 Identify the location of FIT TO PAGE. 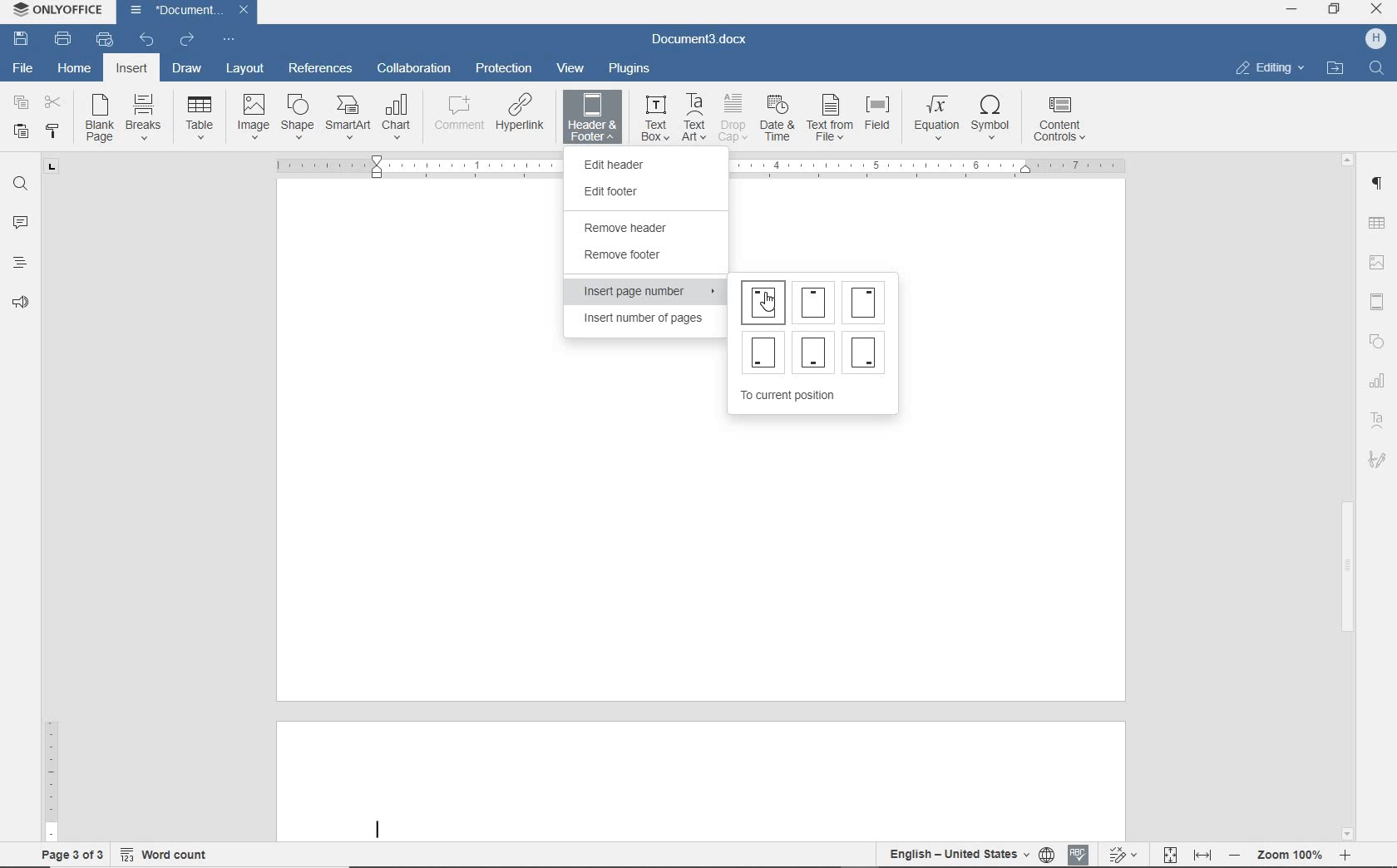
(1169, 854).